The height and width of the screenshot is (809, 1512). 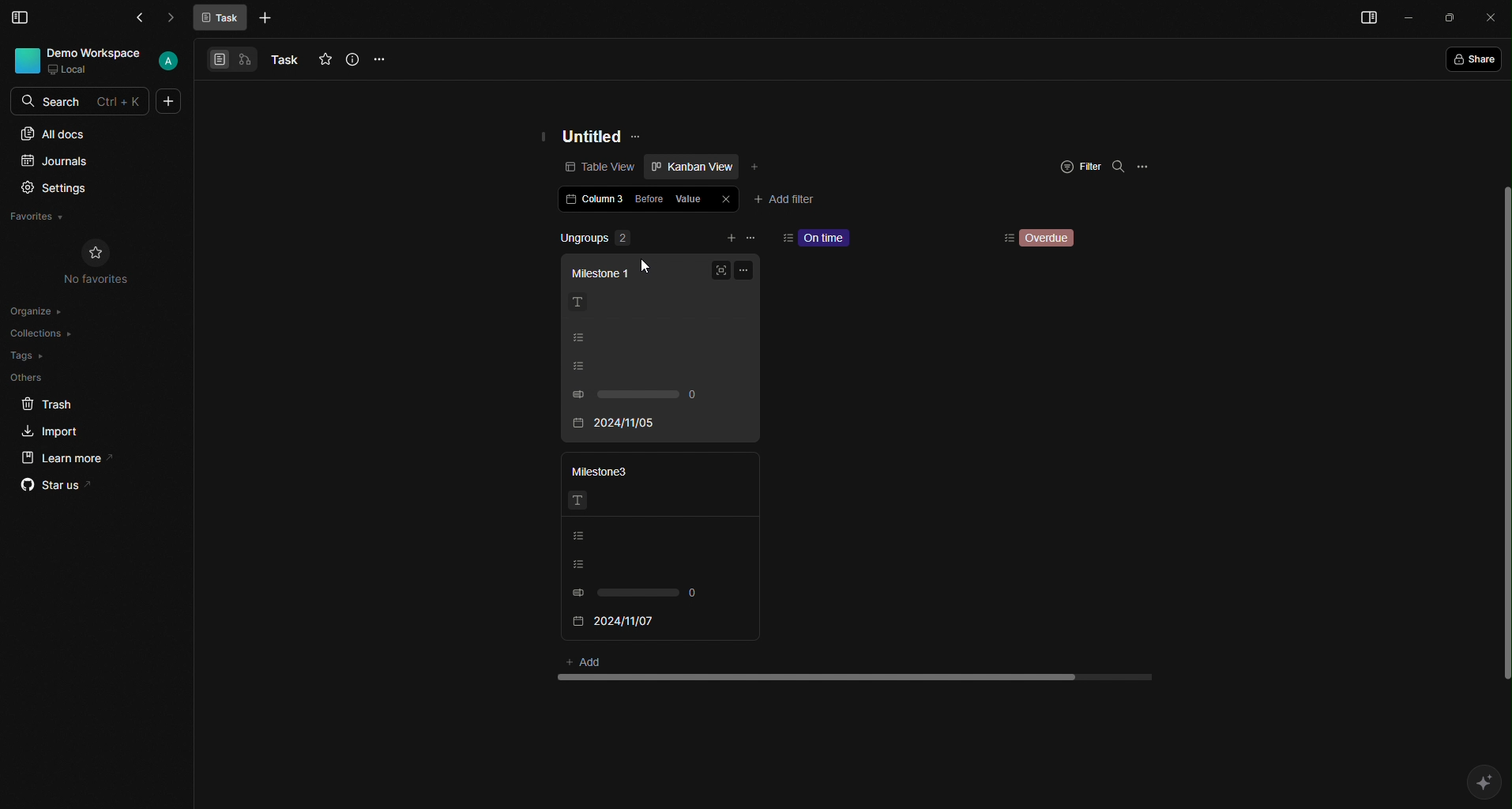 I want to click on Ungroups, so click(x=627, y=238).